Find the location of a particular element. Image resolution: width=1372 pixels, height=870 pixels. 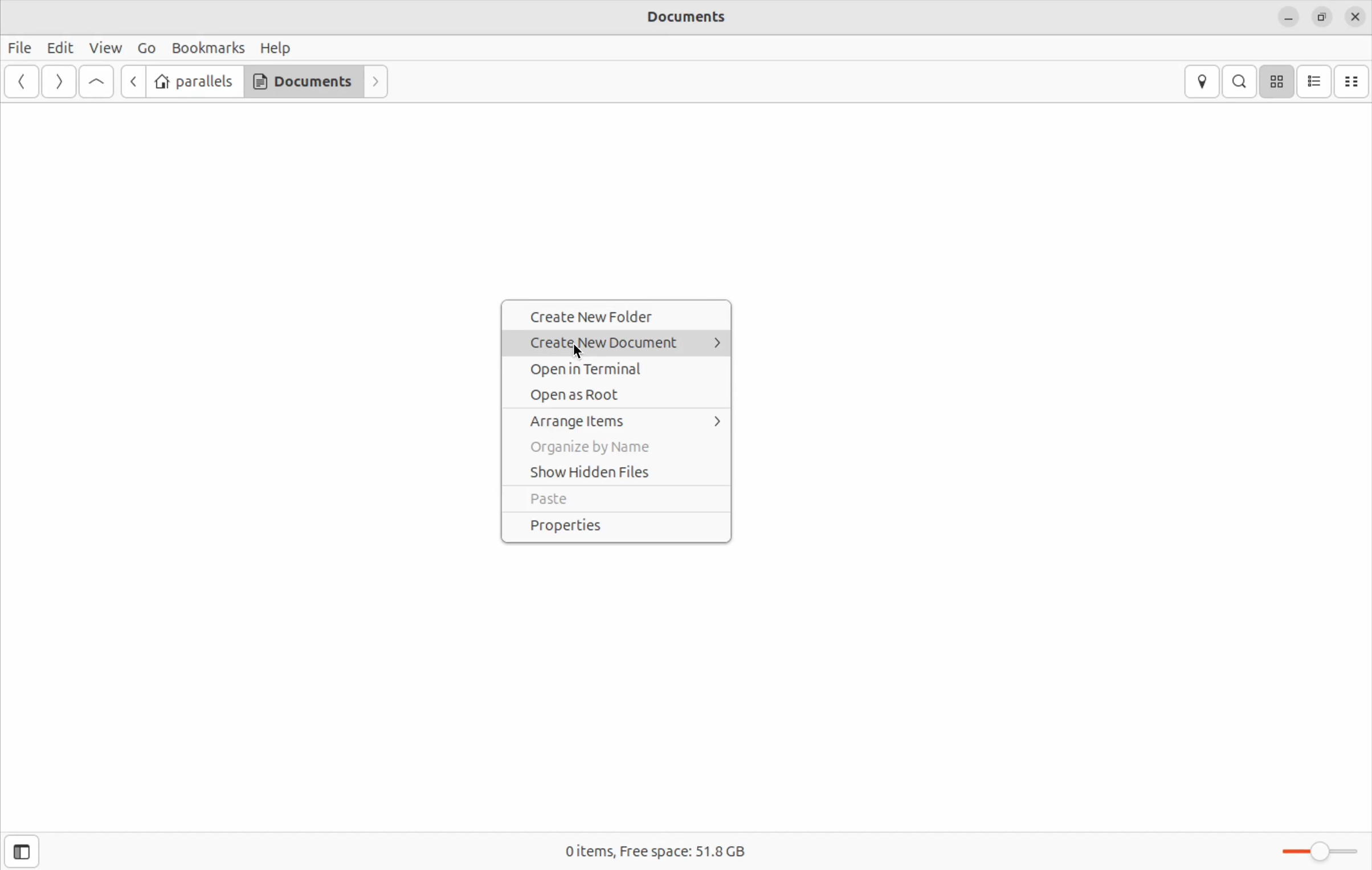

back is located at coordinates (130, 81).